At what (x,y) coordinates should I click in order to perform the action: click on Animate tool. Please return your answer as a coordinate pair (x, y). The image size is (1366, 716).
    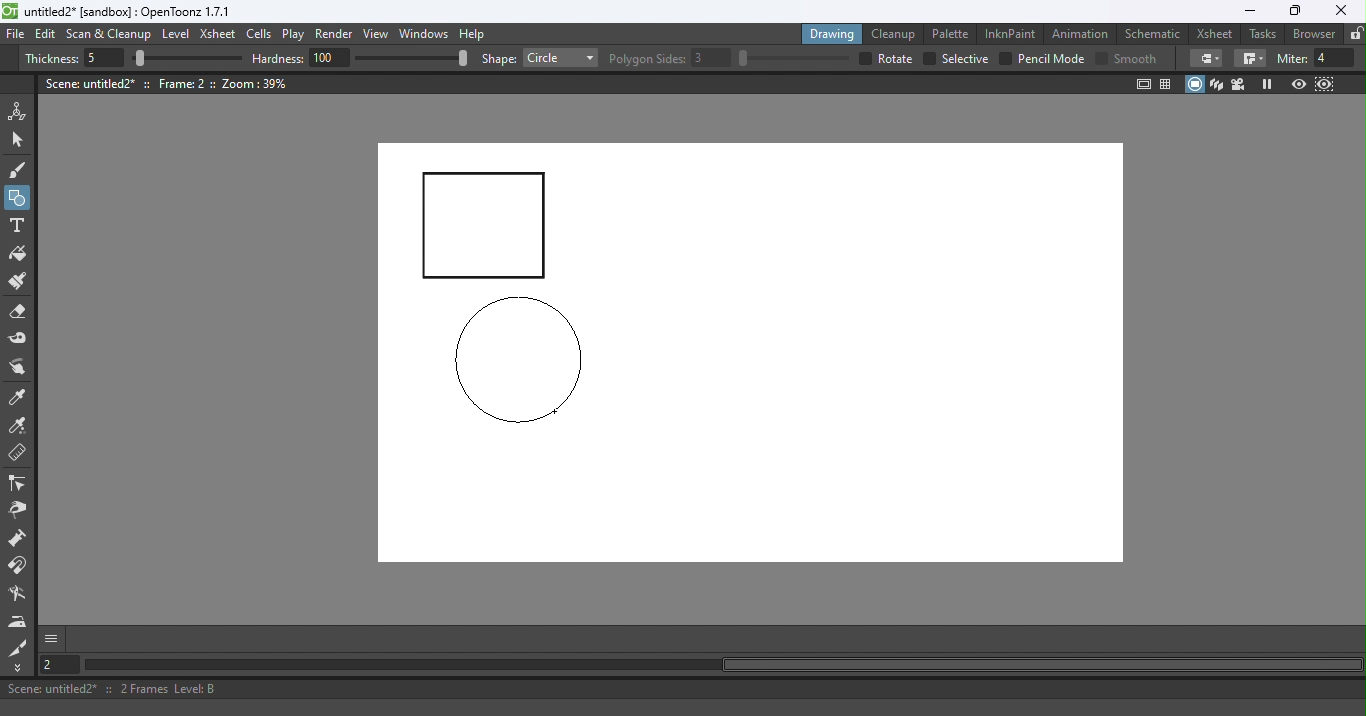
    Looking at the image, I should click on (21, 111).